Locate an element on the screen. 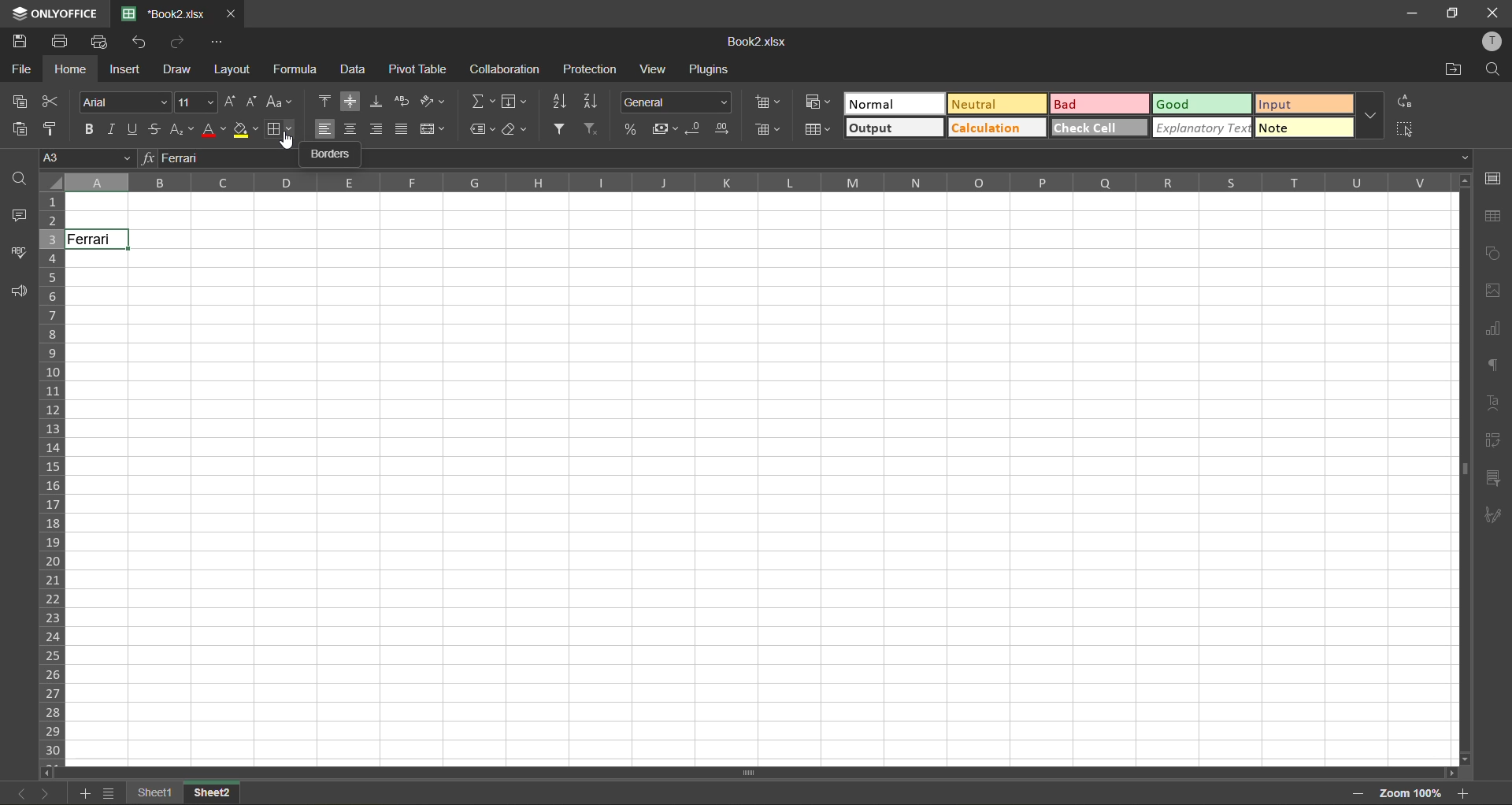 This screenshot has height=805, width=1512. clear filter is located at coordinates (593, 129).